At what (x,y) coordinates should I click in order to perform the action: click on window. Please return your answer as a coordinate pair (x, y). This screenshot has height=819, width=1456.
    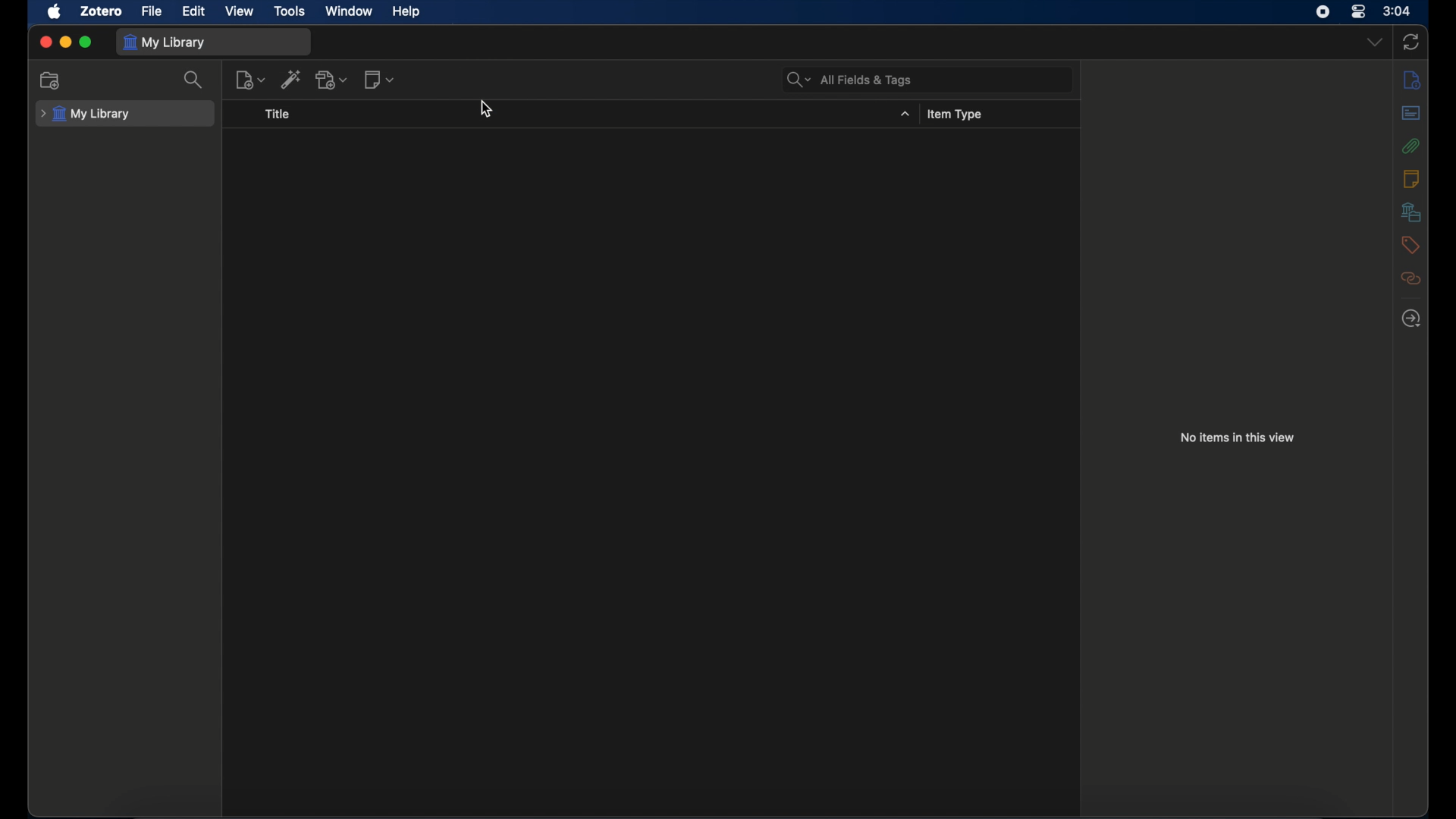
    Looking at the image, I should click on (350, 11).